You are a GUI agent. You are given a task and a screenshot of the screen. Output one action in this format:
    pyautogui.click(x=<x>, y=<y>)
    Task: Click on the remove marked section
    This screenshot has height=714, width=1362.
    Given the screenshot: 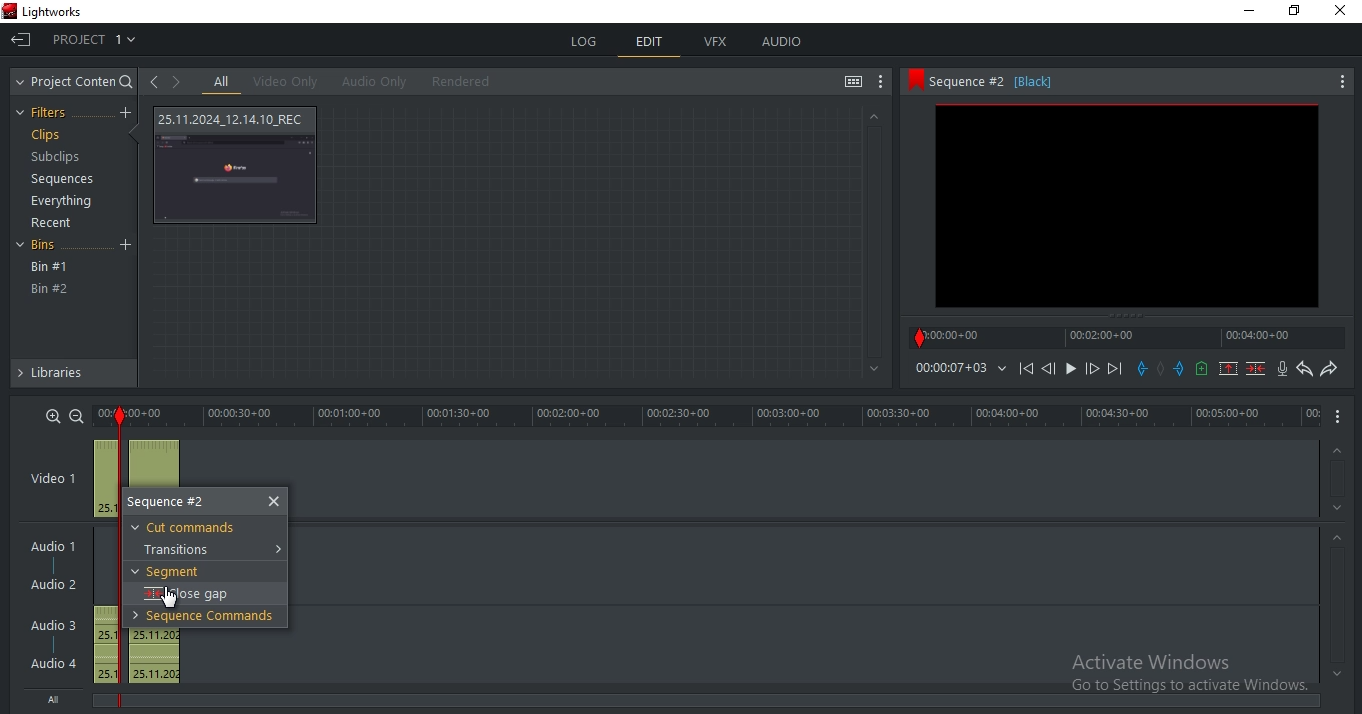 What is the action you would take?
    pyautogui.click(x=1229, y=368)
    